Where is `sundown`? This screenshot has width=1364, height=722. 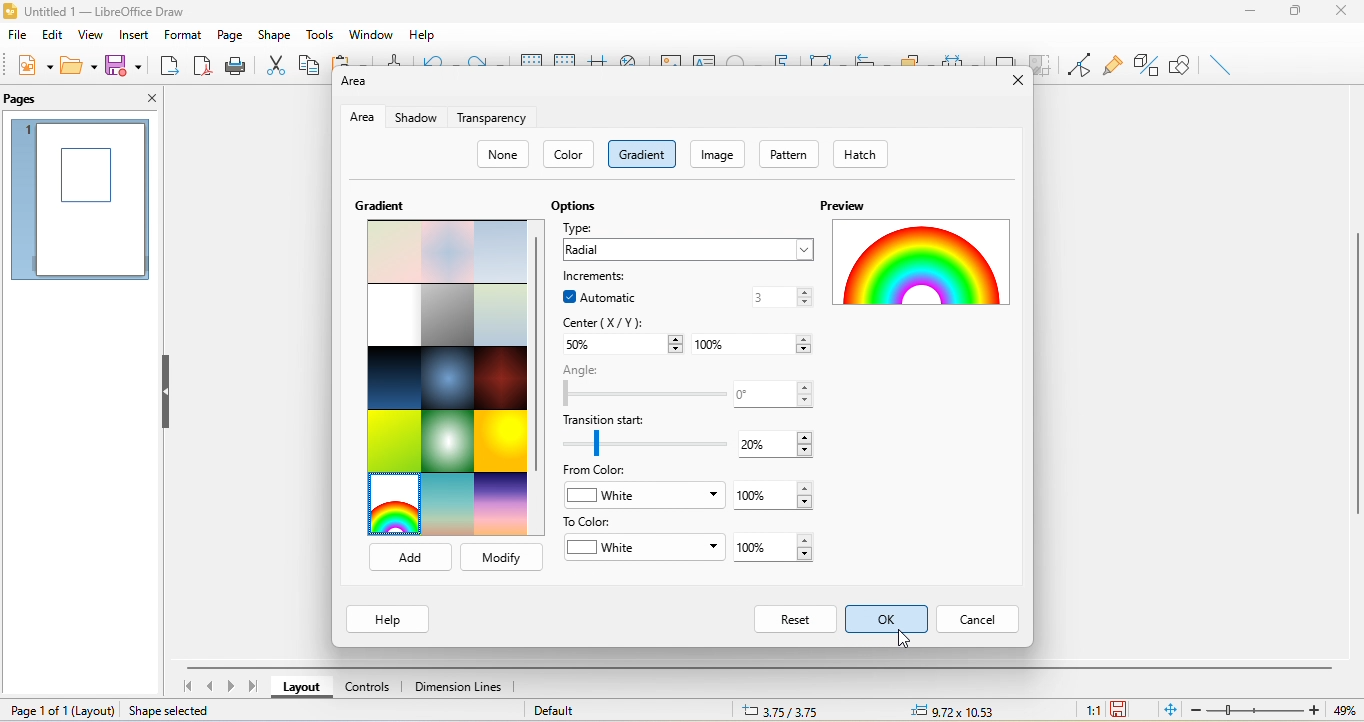
sundown is located at coordinates (500, 504).